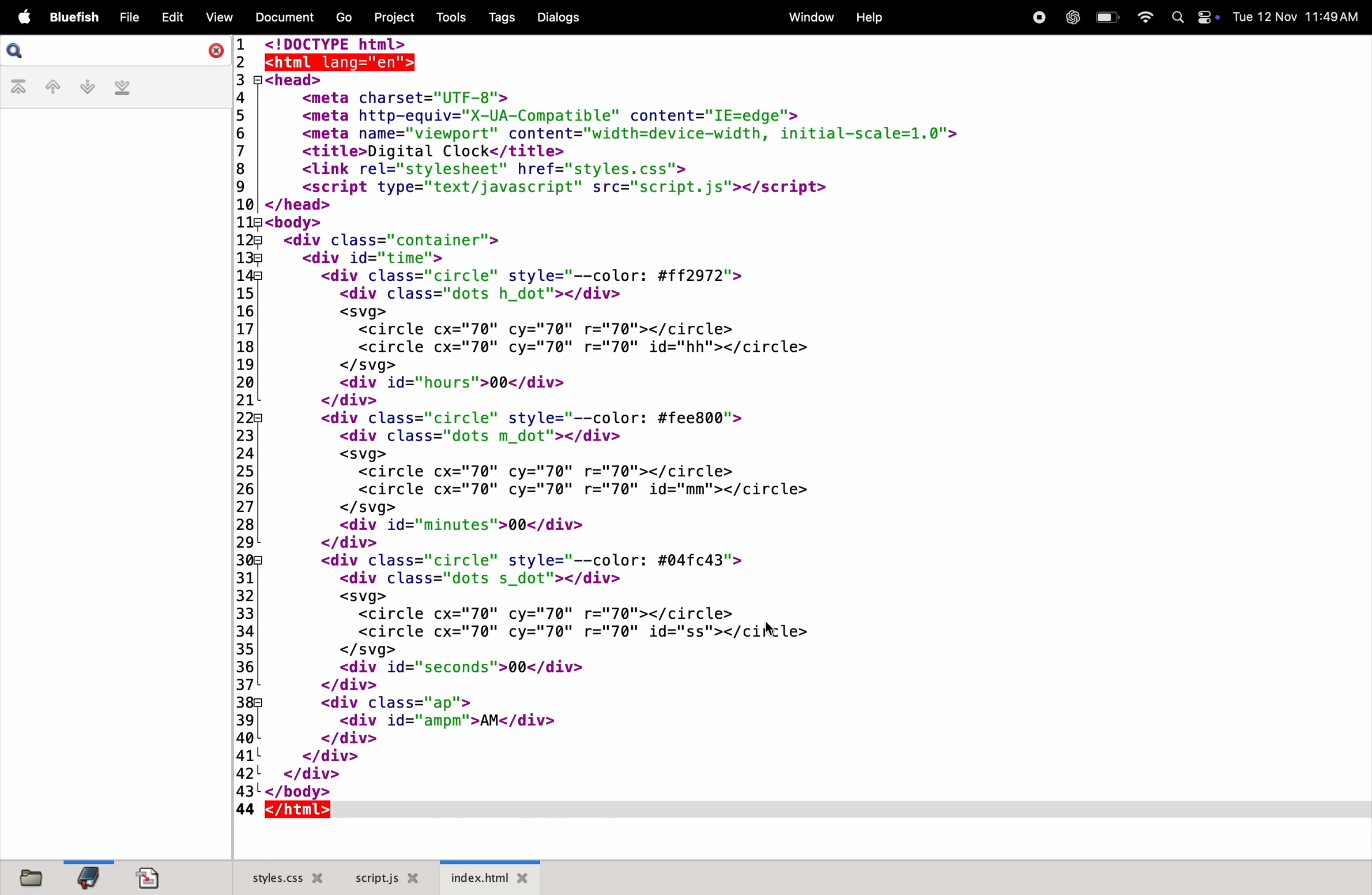 Image resolution: width=1372 pixels, height=895 pixels. What do you see at coordinates (170, 17) in the screenshot?
I see `edit` at bounding box center [170, 17].